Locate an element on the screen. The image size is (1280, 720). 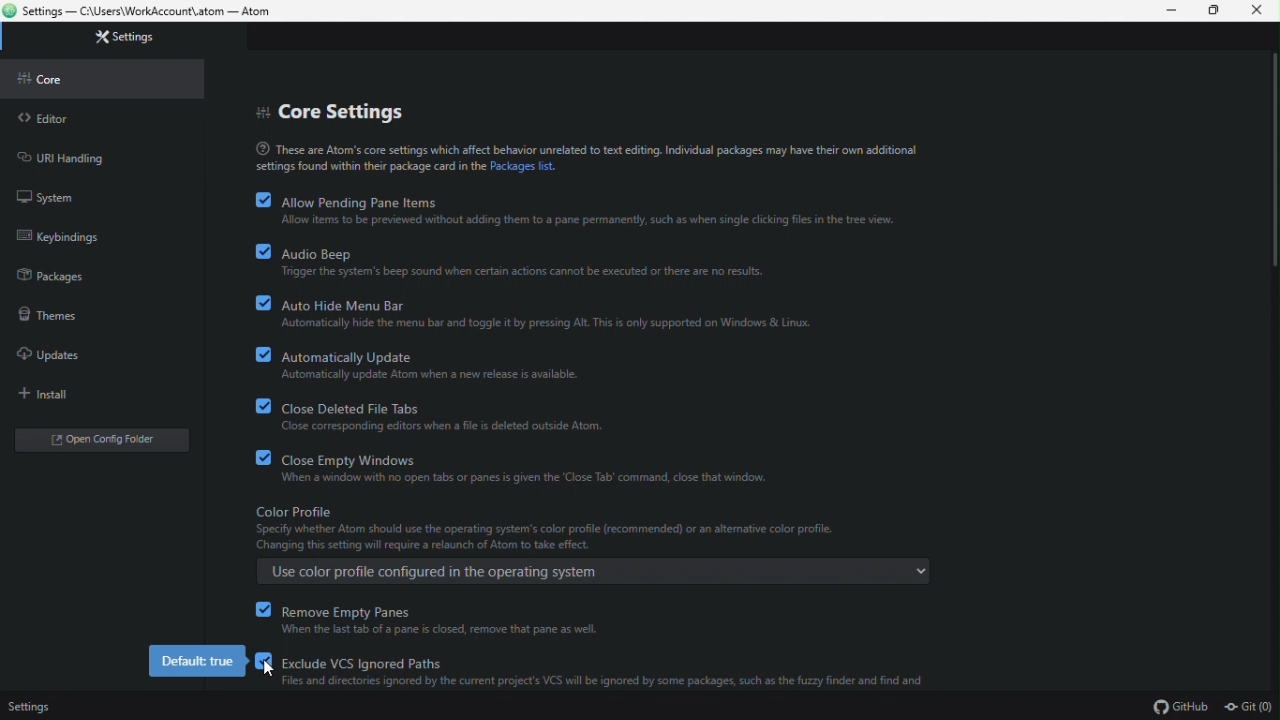
Automatically update is located at coordinates (597, 364).